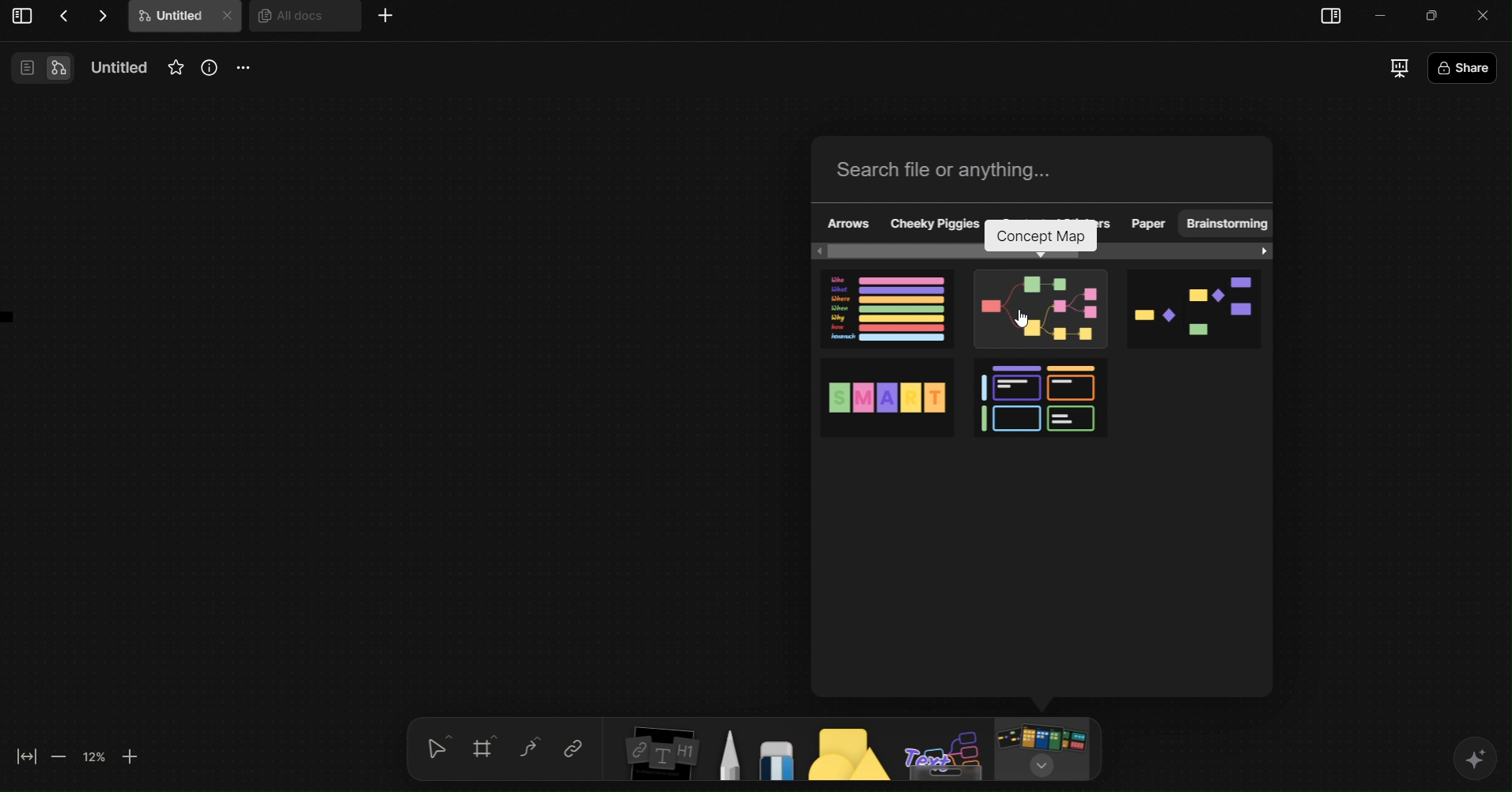 This screenshot has width=1512, height=792. What do you see at coordinates (1041, 166) in the screenshot?
I see `Search` at bounding box center [1041, 166].